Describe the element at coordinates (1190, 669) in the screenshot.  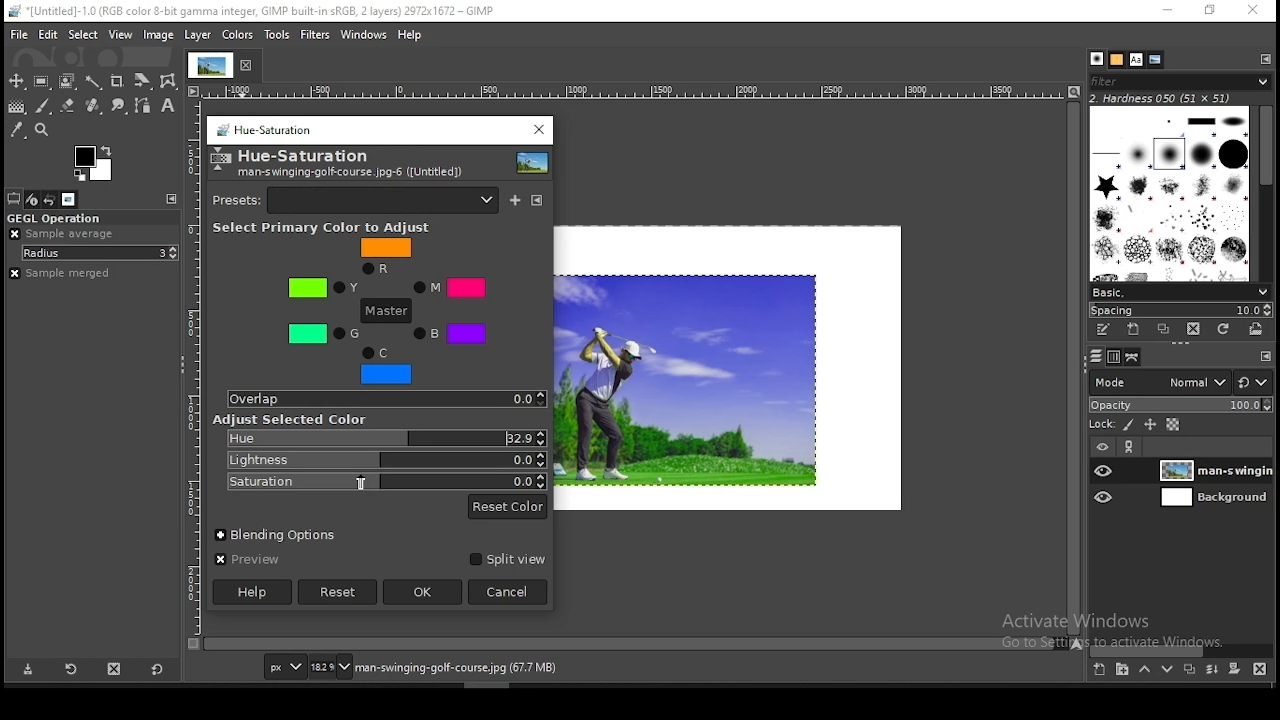
I see `duplicate layer` at that location.